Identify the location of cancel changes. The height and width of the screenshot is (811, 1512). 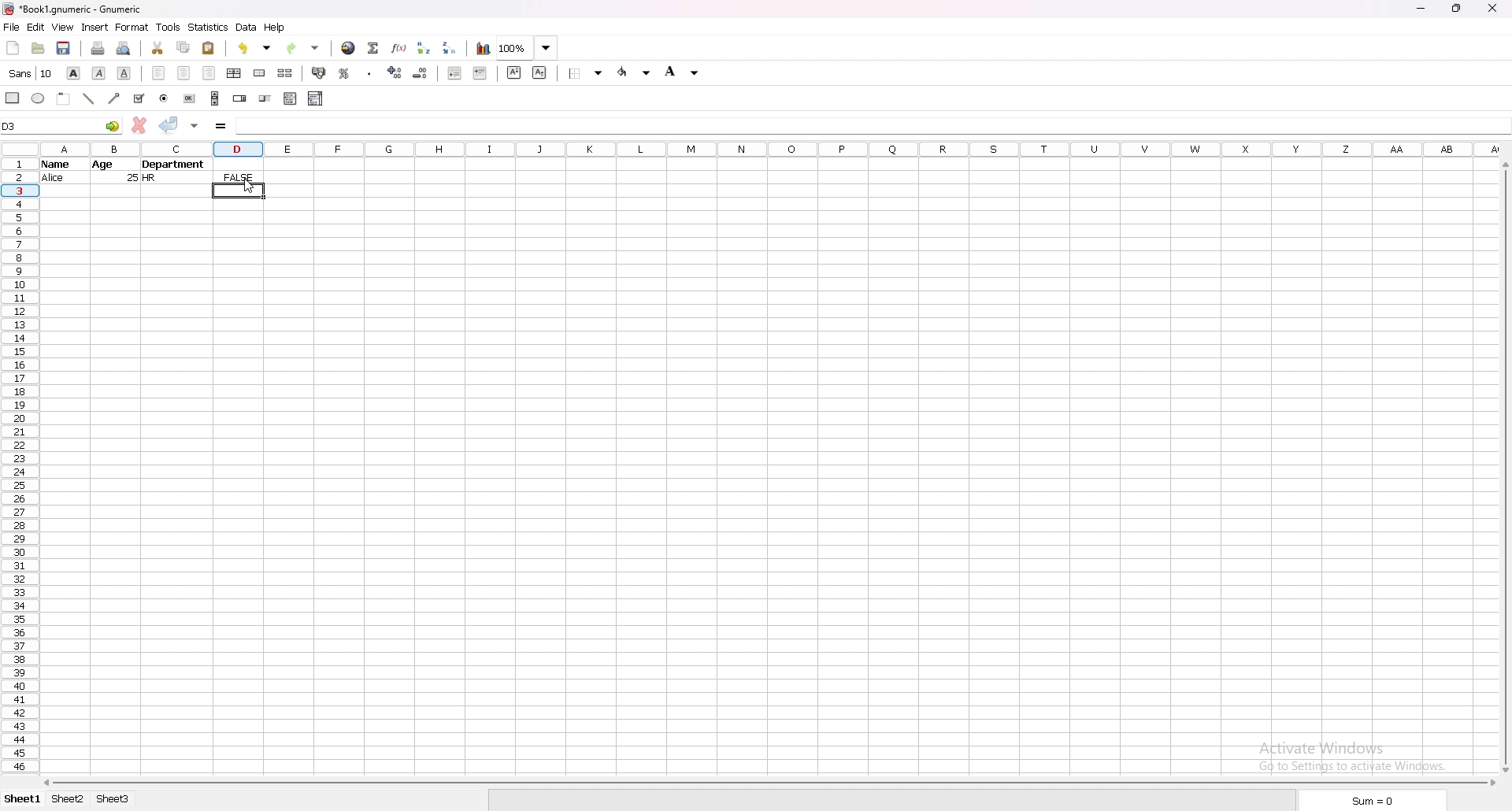
(139, 125).